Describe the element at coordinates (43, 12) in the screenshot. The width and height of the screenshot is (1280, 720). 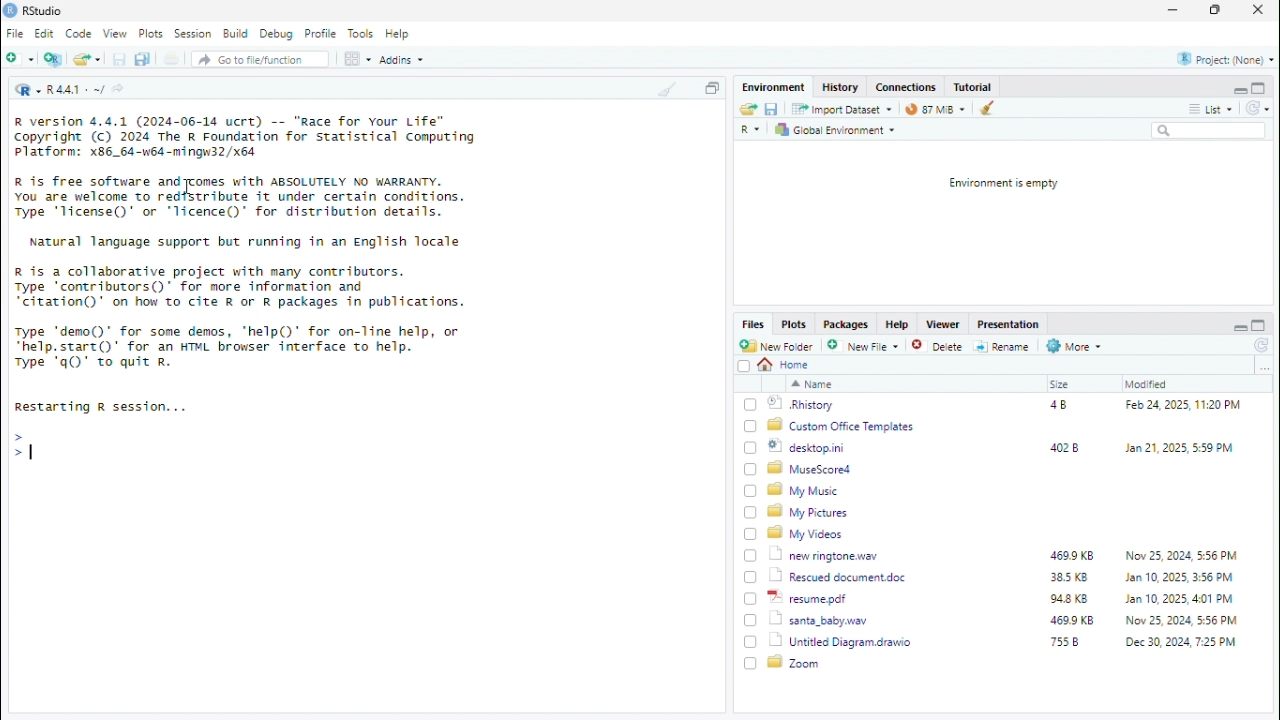
I see `RStudio` at that location.